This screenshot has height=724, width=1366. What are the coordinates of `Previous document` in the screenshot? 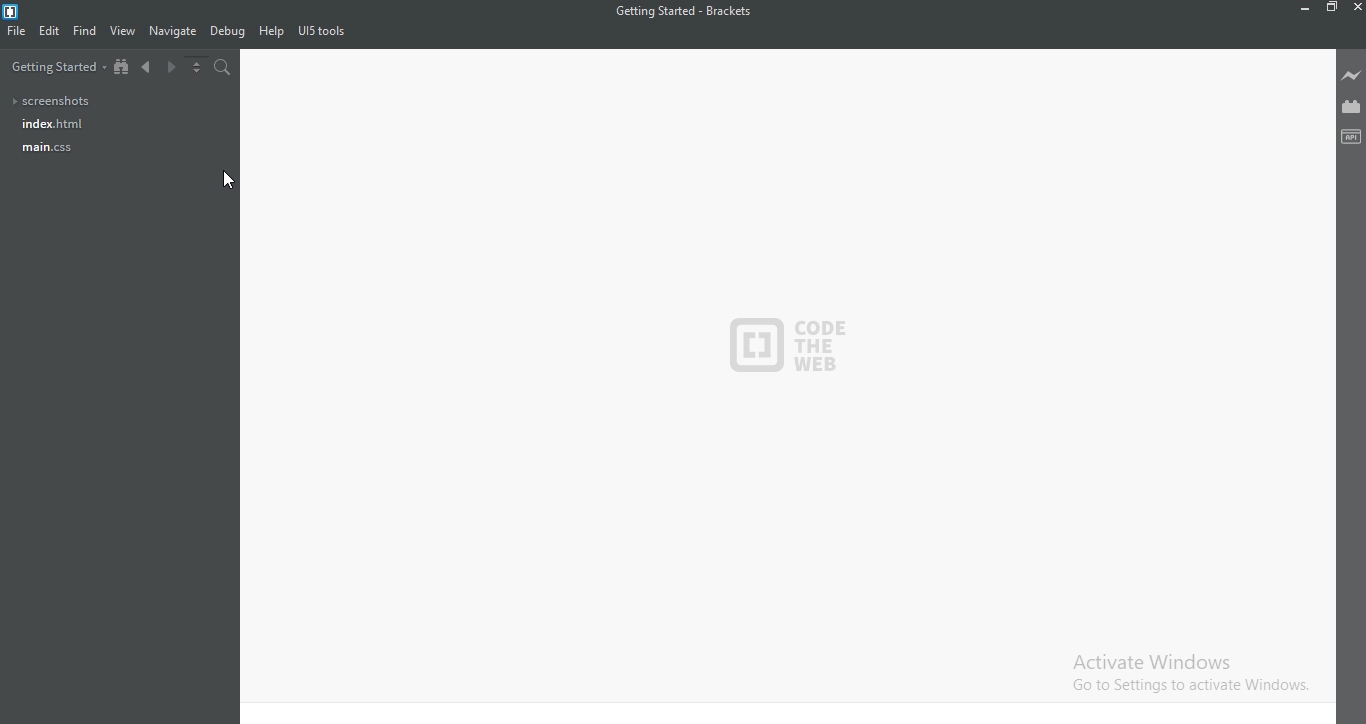 It's located at (150, 69).